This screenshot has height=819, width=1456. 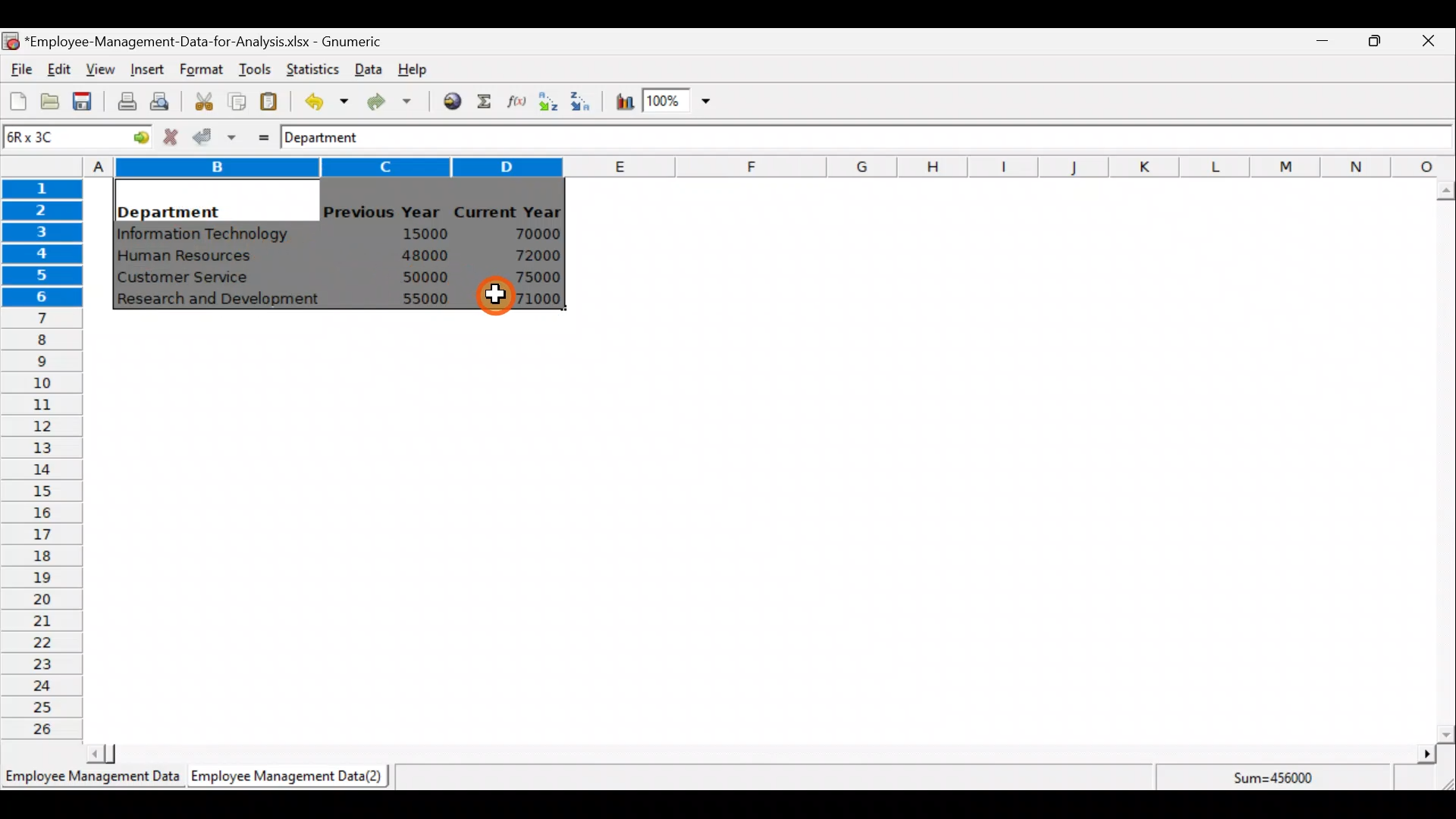 I want to click on Employee Management Data (2), so click(x=290, y=777).